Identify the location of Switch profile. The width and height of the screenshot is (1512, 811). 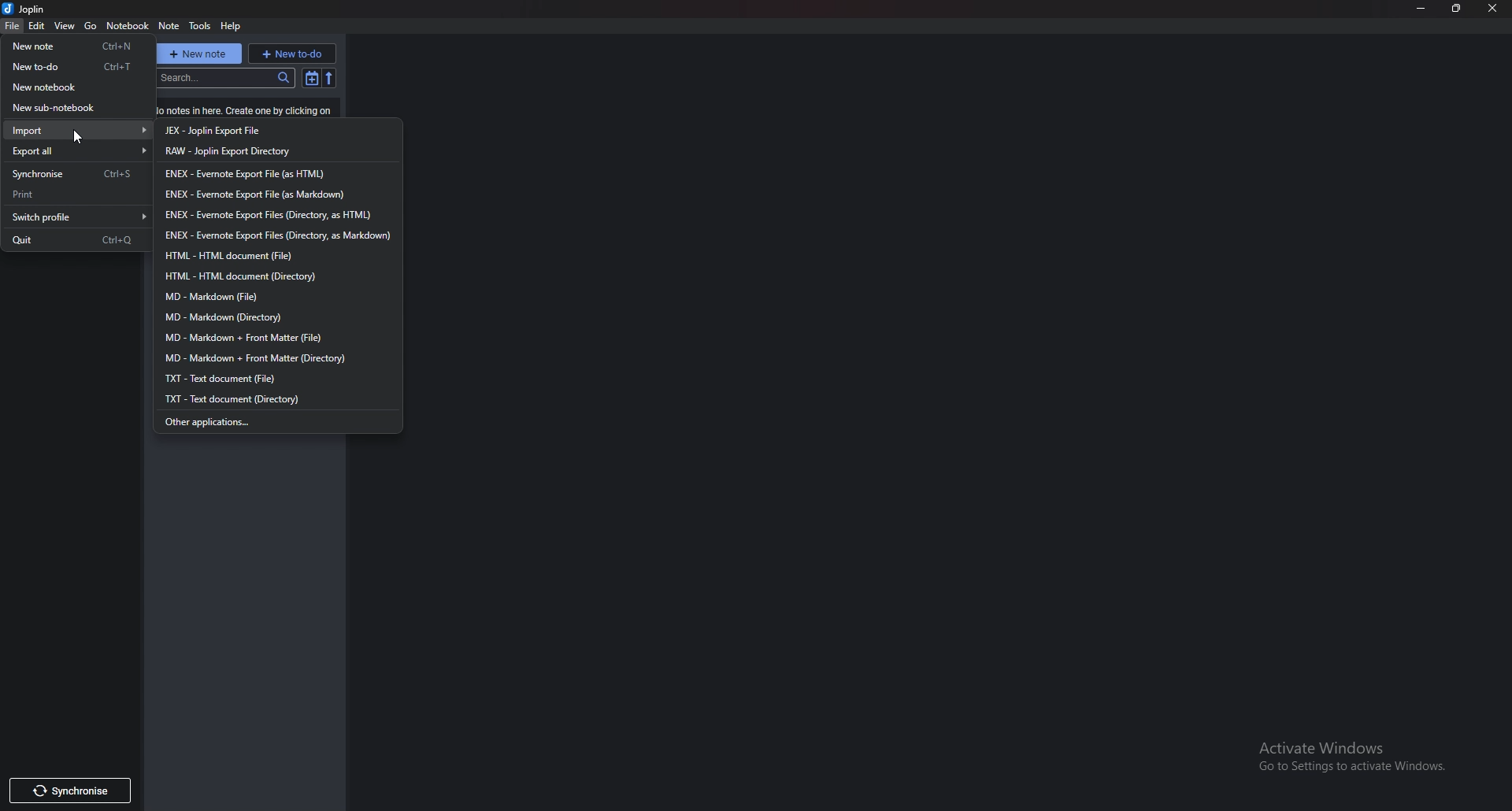
(77, 217).